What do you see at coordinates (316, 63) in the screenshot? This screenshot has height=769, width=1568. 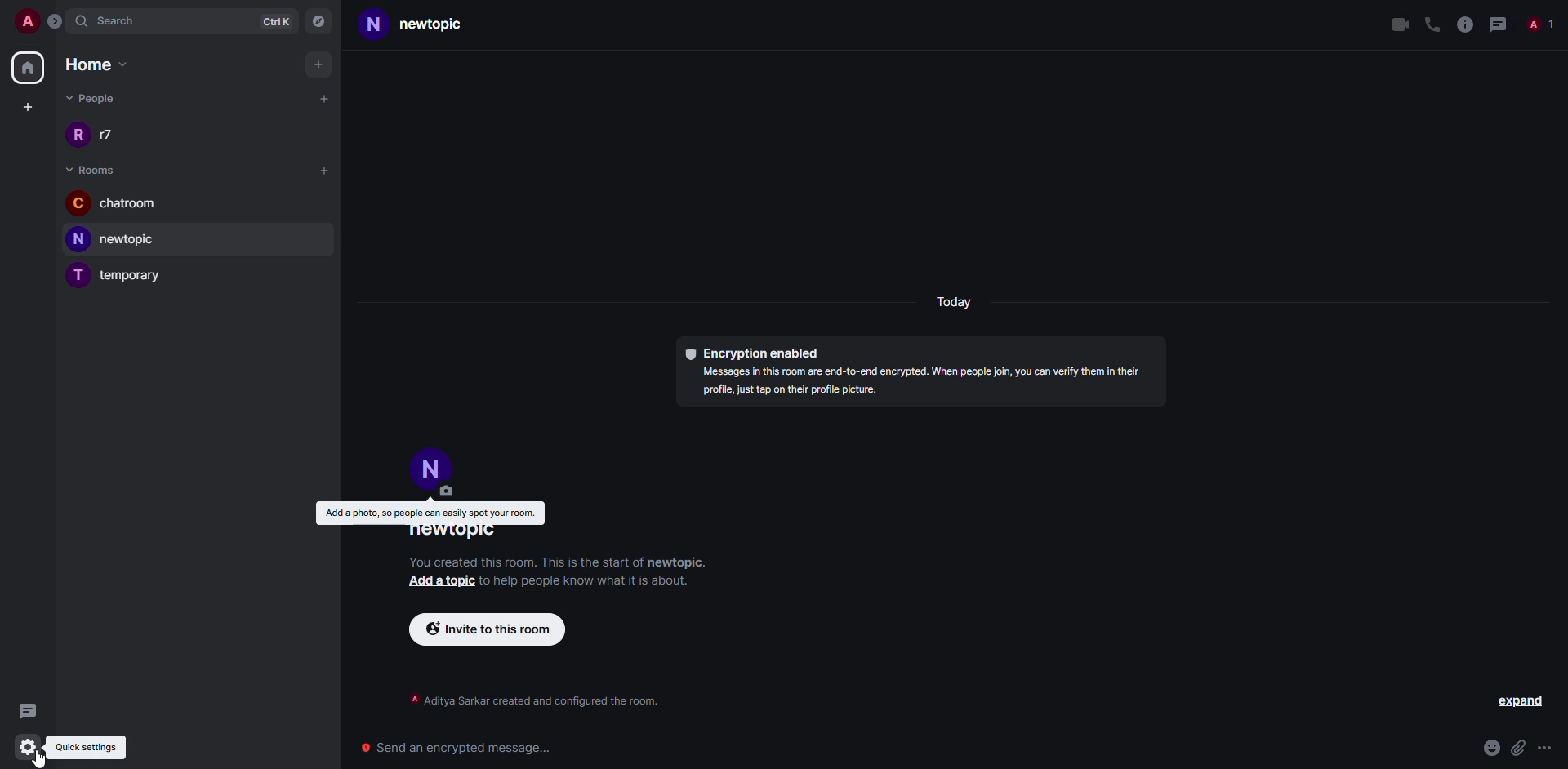 I see `add` at bounding box center [316, 63].